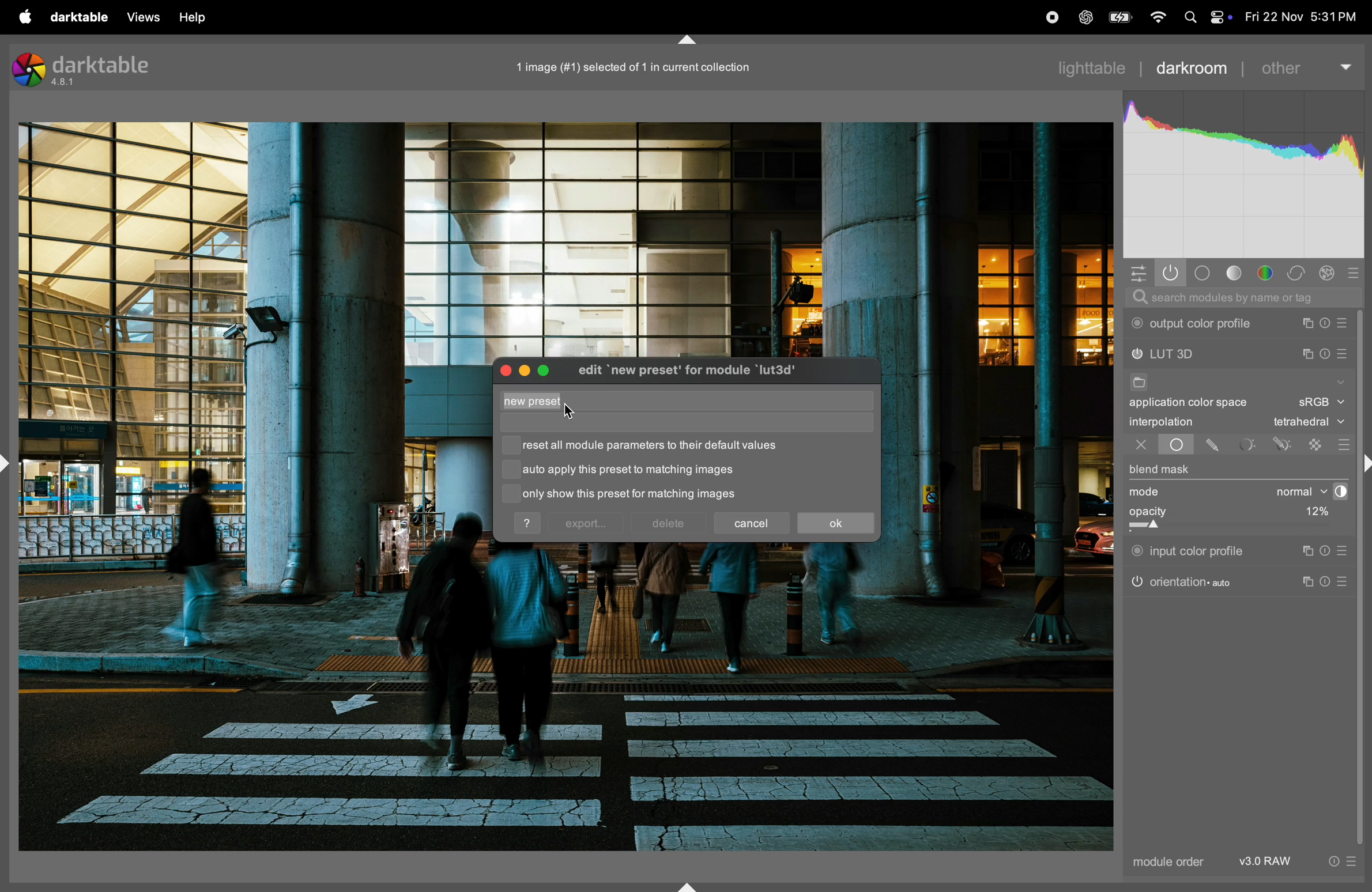 The height and width of the screenshot is (892, 1372). Describe the element at coordinates (1165, 863) in the screenshot. I see `module order` at that location.